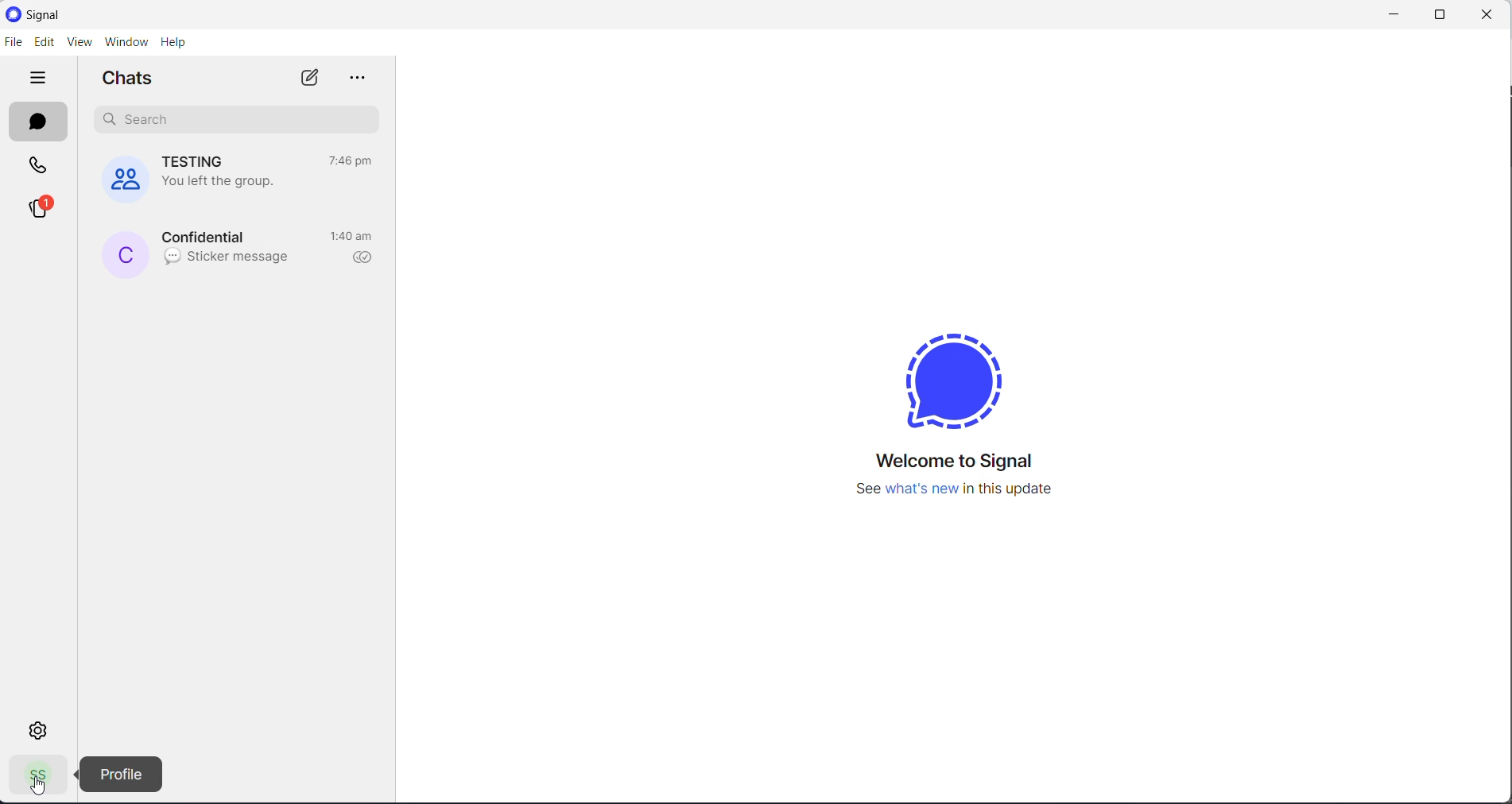 The image size is (1512, 804). I want to click on Cursor, so click(34, 786).